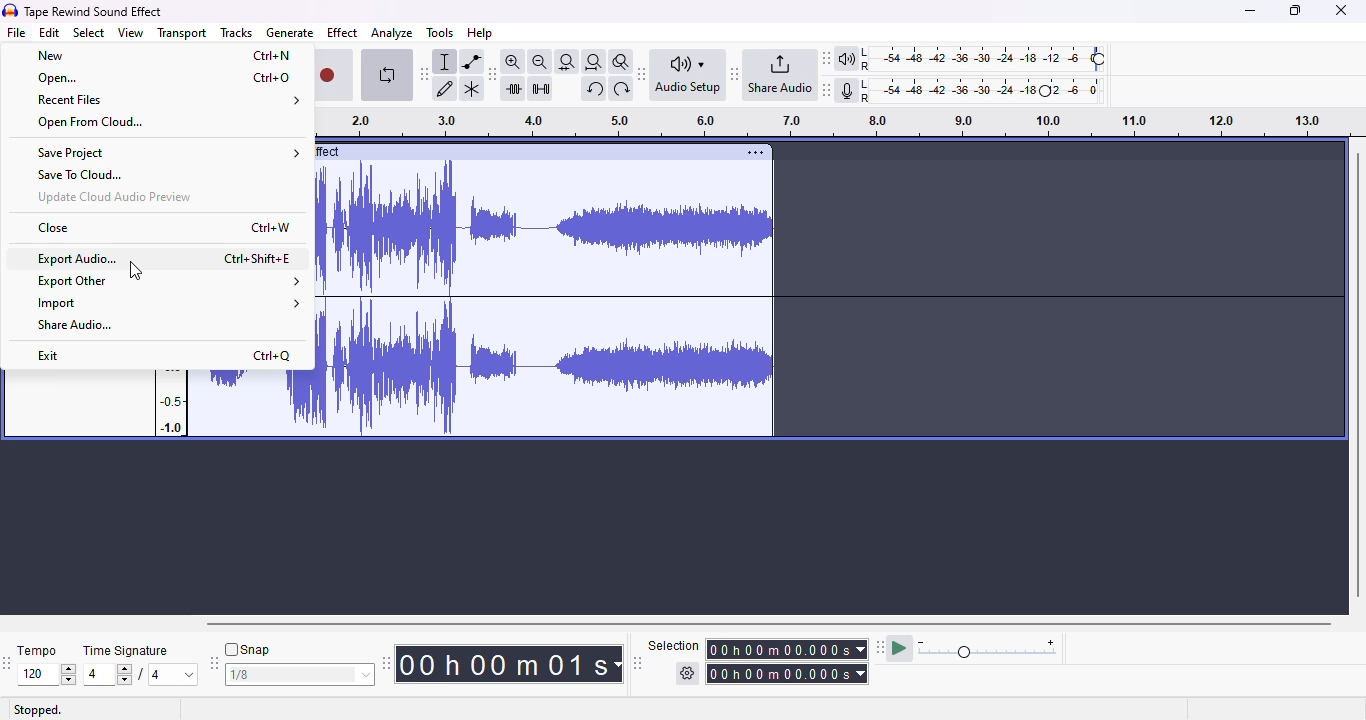 This screenshot has height=720, width=1366. I want to click on title, so click(93, 11).